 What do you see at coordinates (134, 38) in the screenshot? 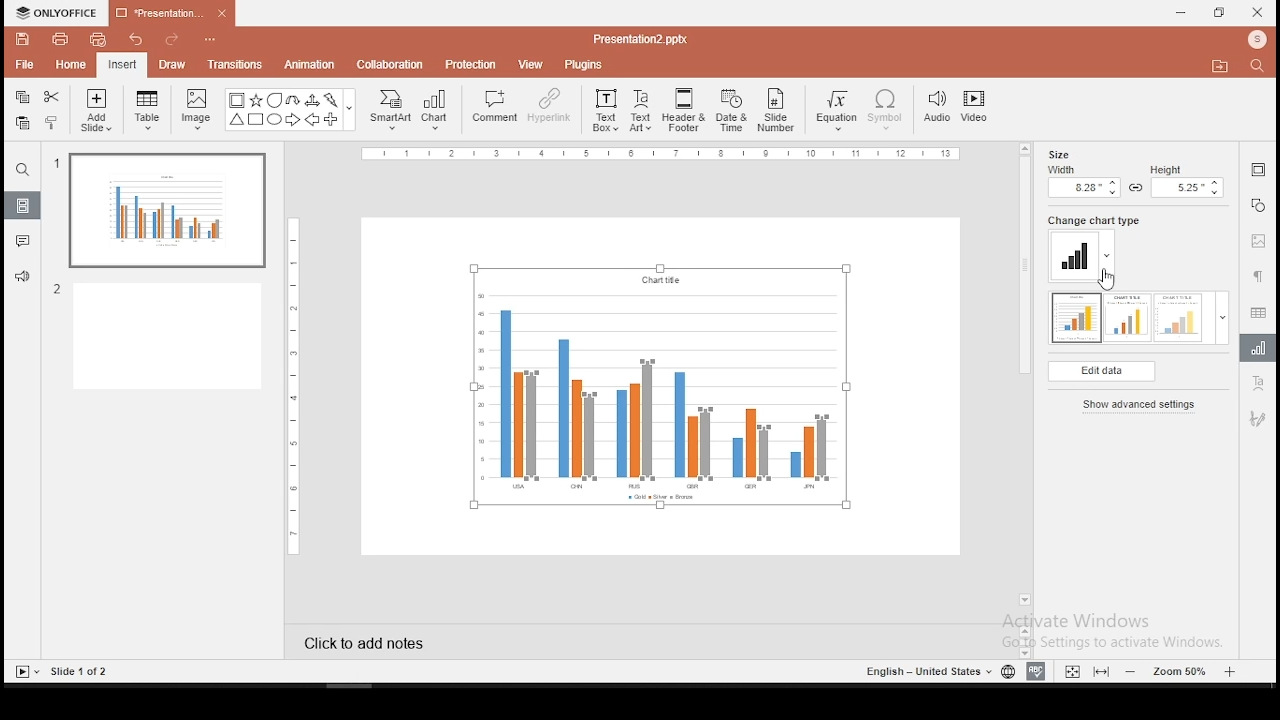
I see `undo` at bounding box center [134, 38].